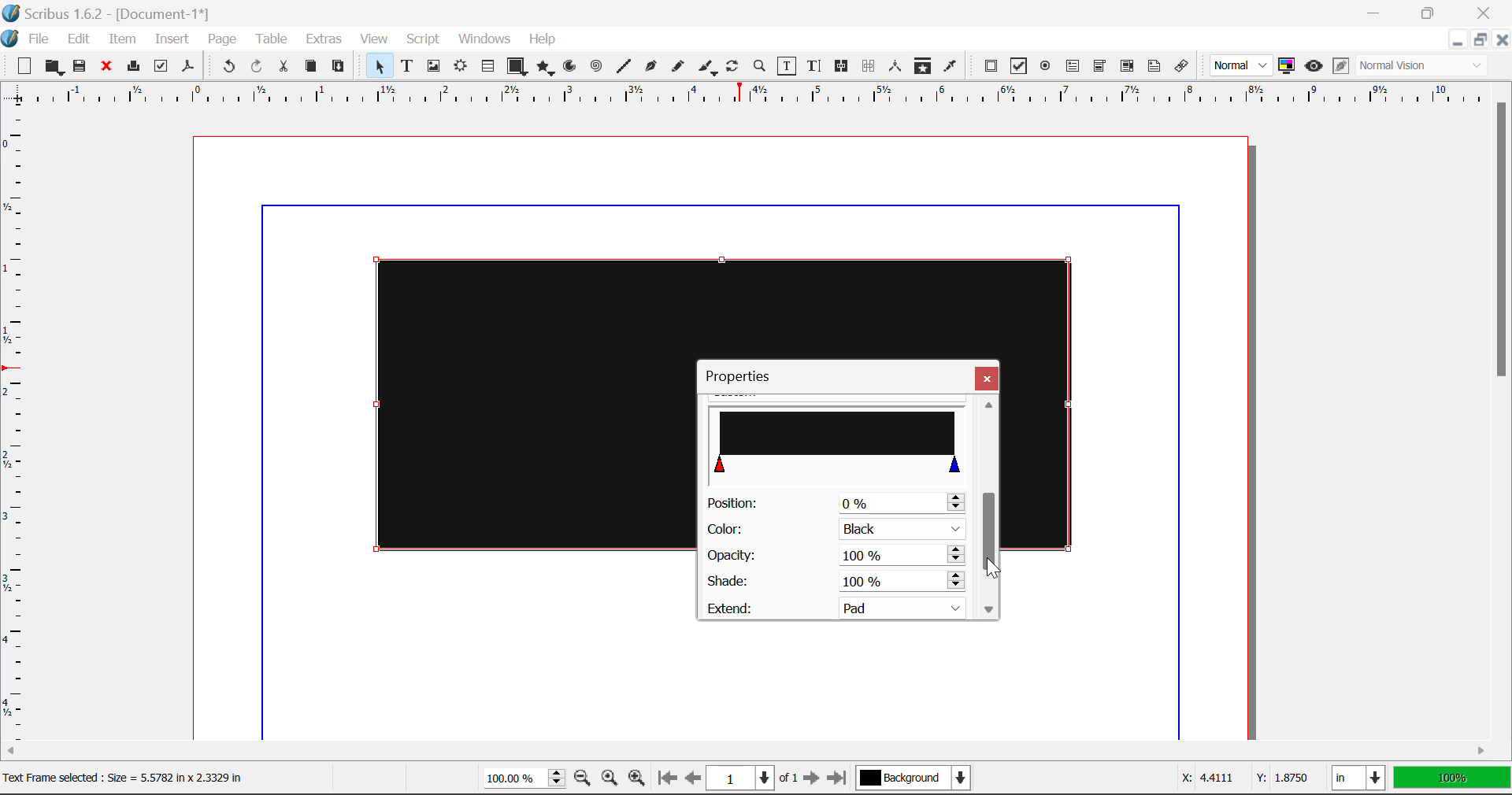  What do you see at coordinates (43, 39) in the screenshot?
I see `File` at bounding box center [43, 39].